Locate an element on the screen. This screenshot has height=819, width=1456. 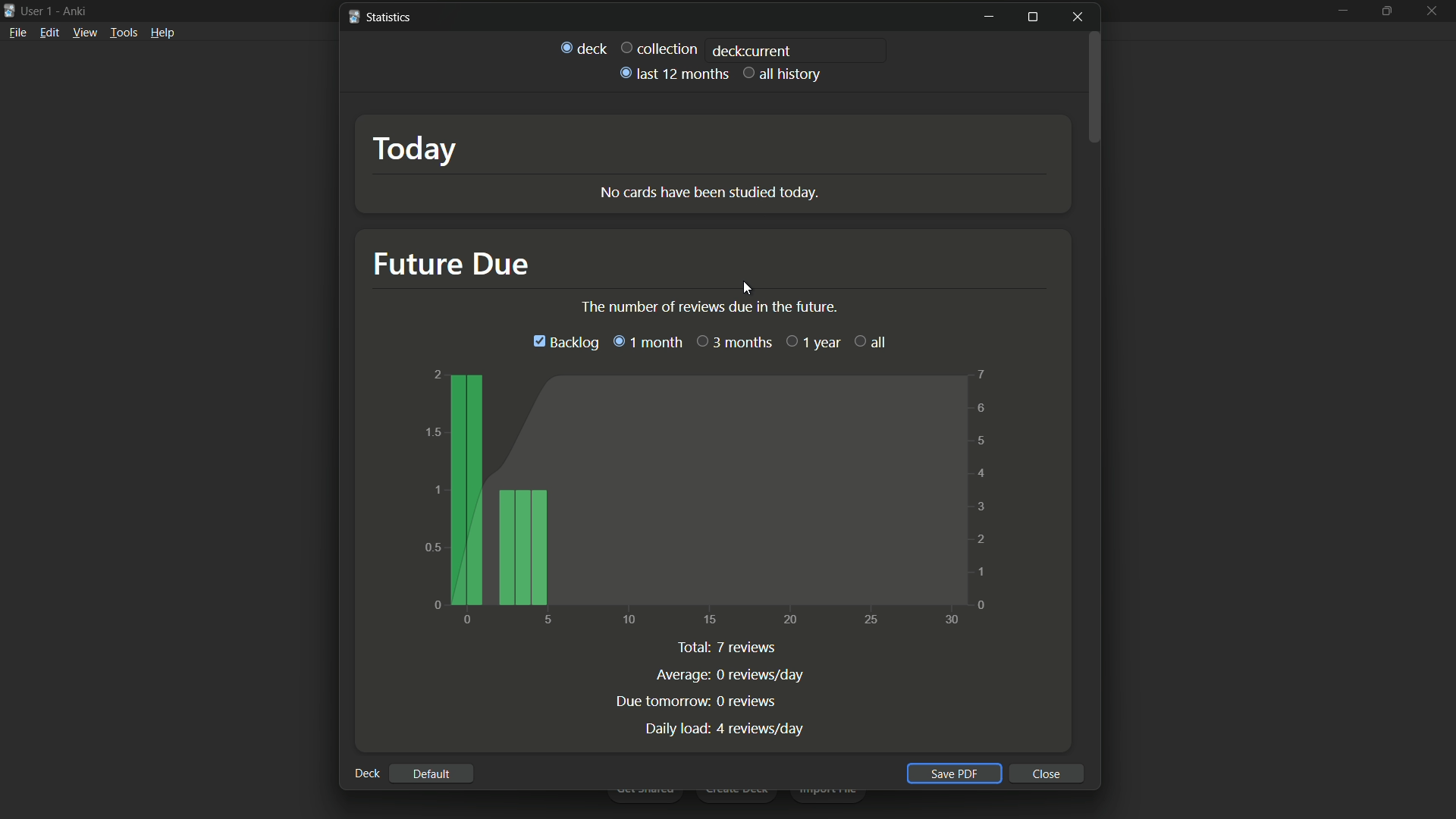
today is located at coordinates (416, 149).